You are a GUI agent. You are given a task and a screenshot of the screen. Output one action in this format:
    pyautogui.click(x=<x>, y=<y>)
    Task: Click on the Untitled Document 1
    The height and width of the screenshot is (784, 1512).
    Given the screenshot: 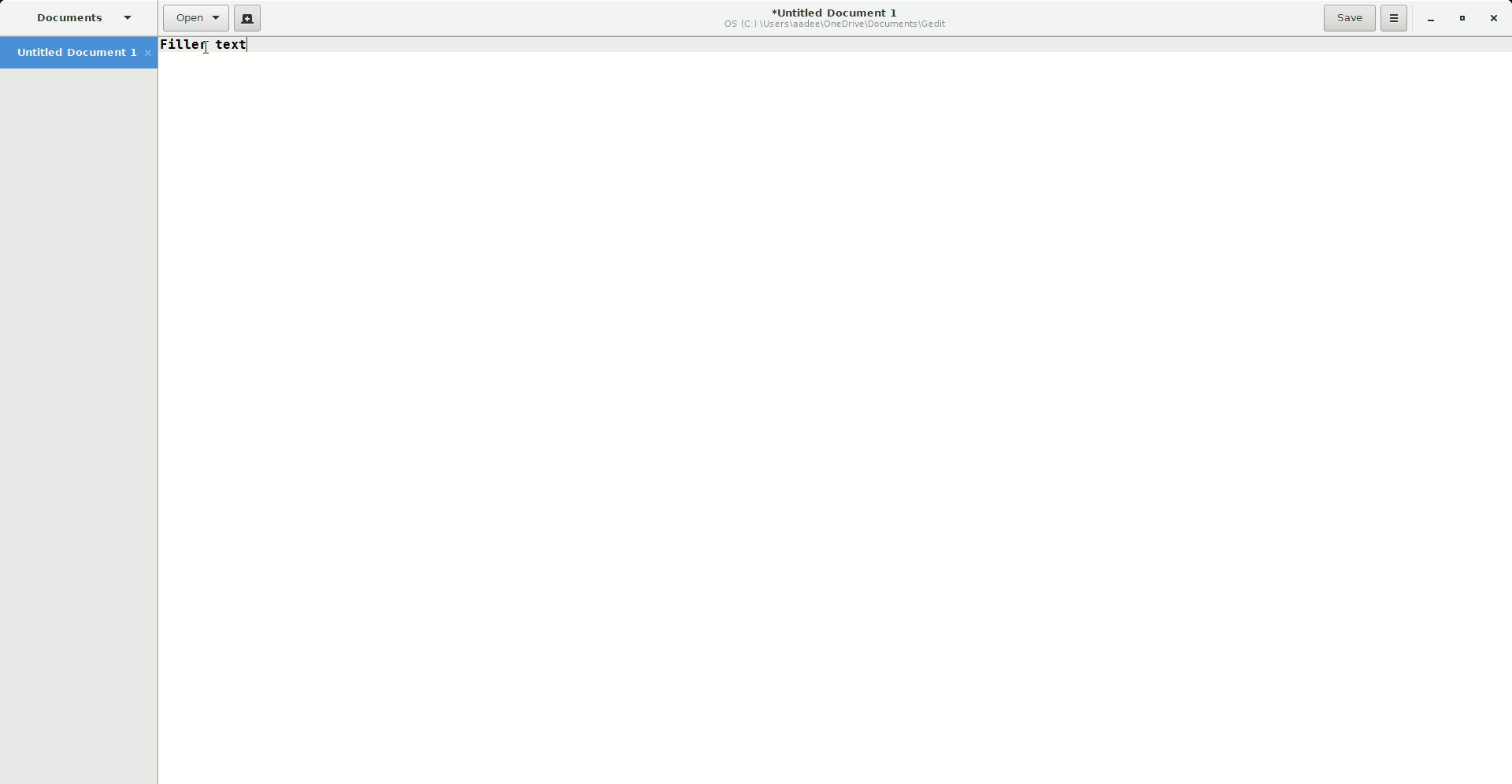 What is the action you would take?
    pyautogui.click(x=80, y=54)
    